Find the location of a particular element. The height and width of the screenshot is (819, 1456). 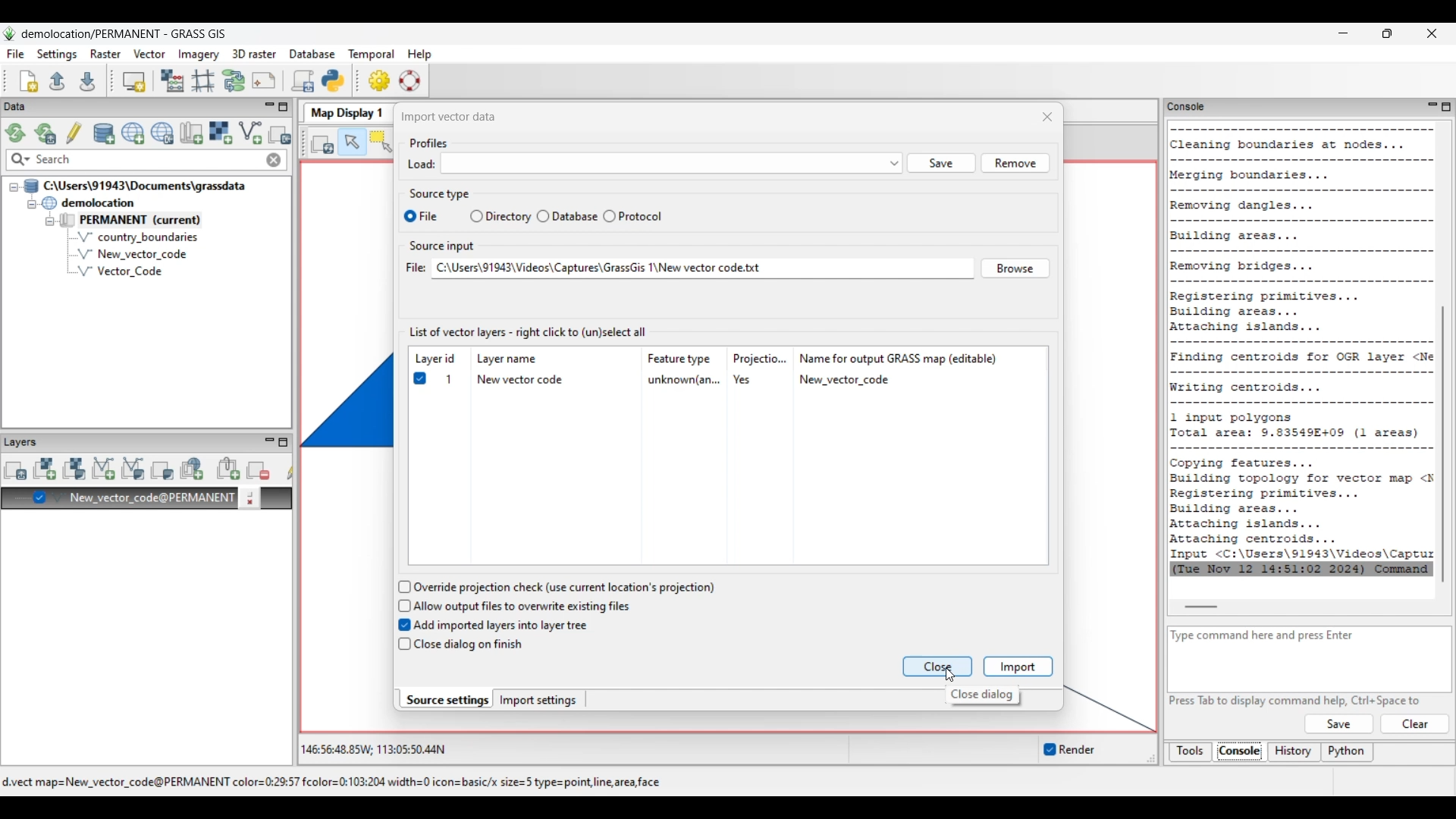

Override projection check is located at coordinates (563, 588).